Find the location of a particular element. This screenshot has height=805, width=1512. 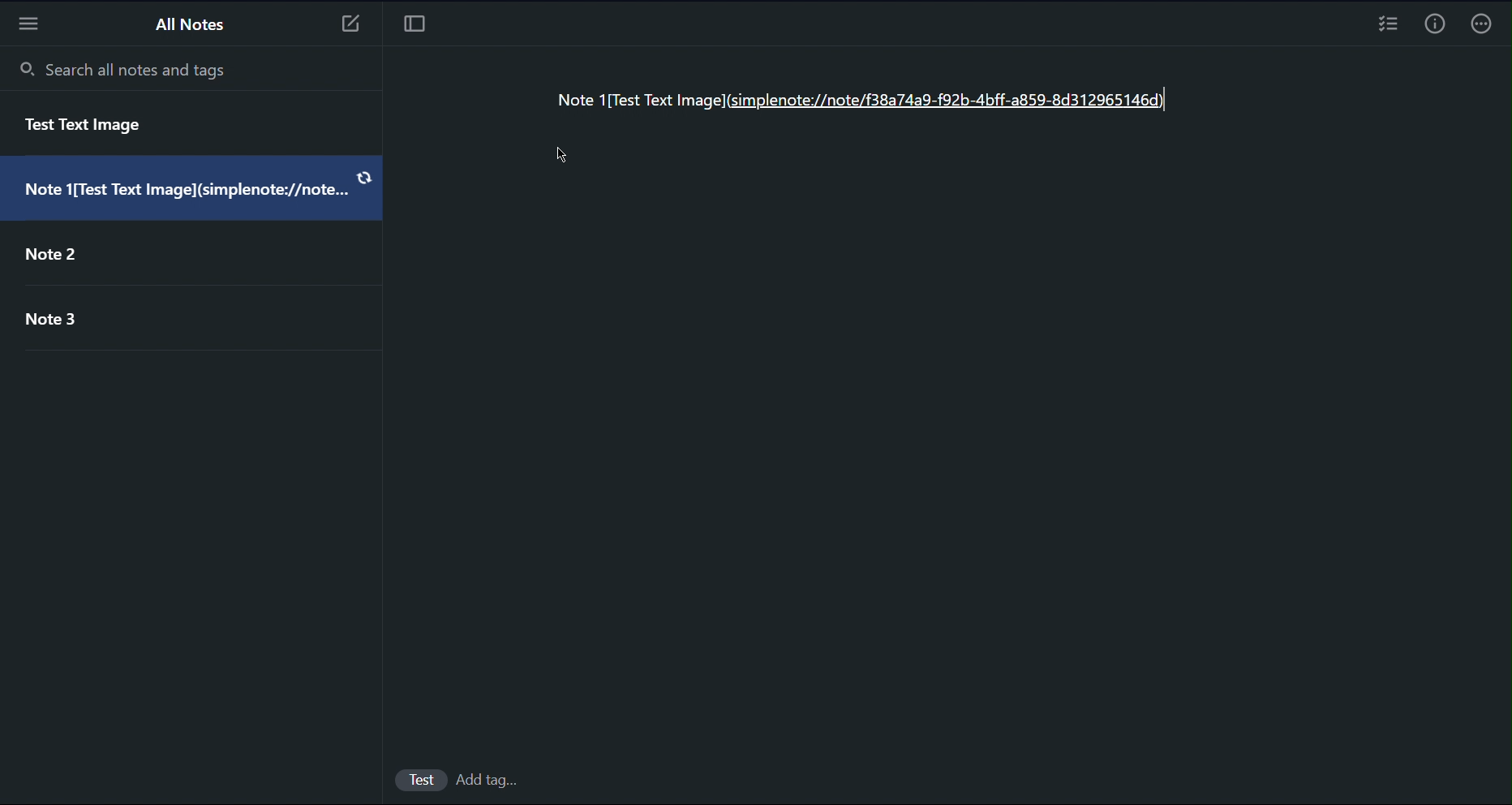

Test is located at coordinates (420, 777).